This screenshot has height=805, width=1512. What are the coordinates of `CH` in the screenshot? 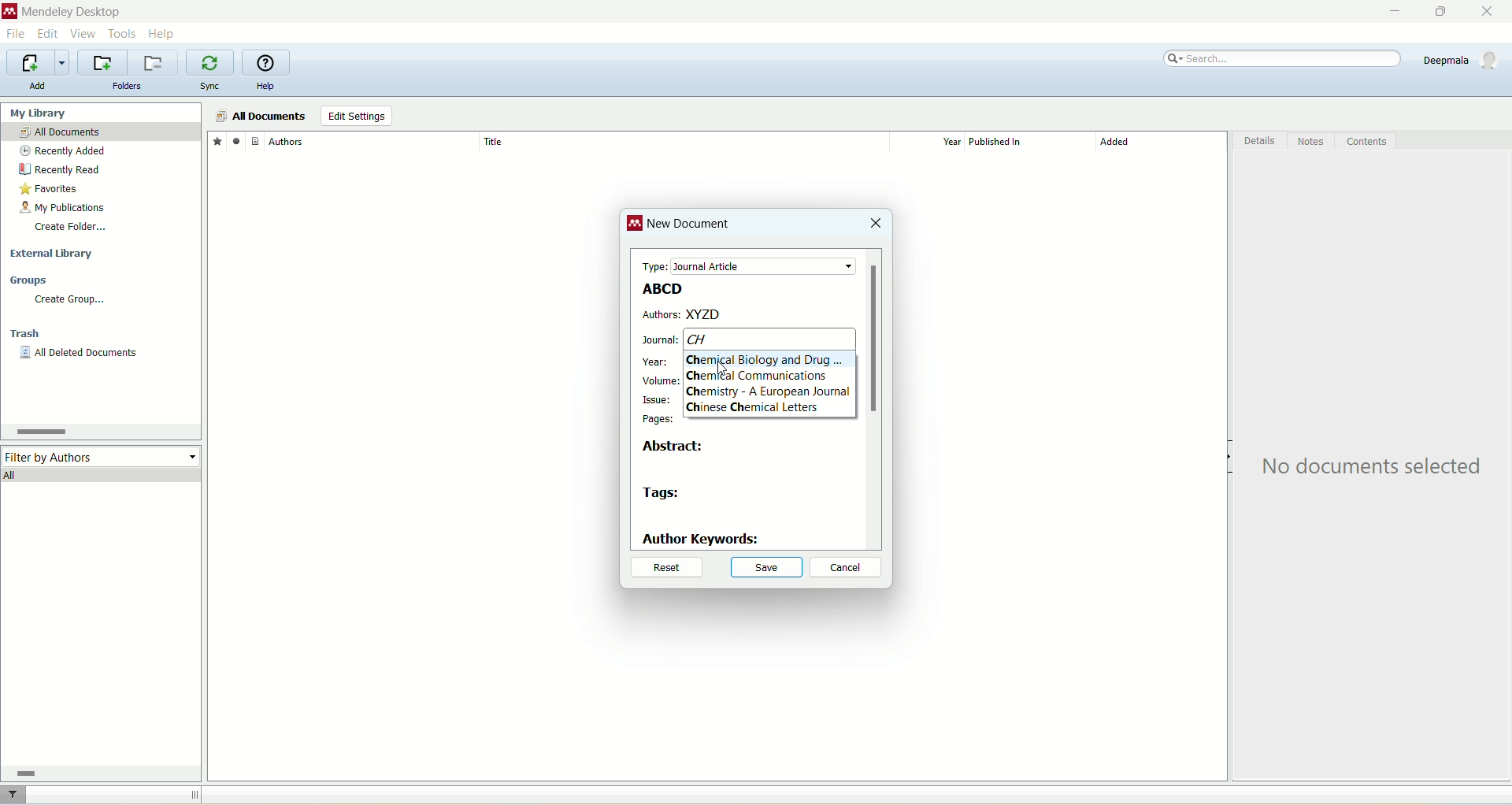 It's located at (763, 339).